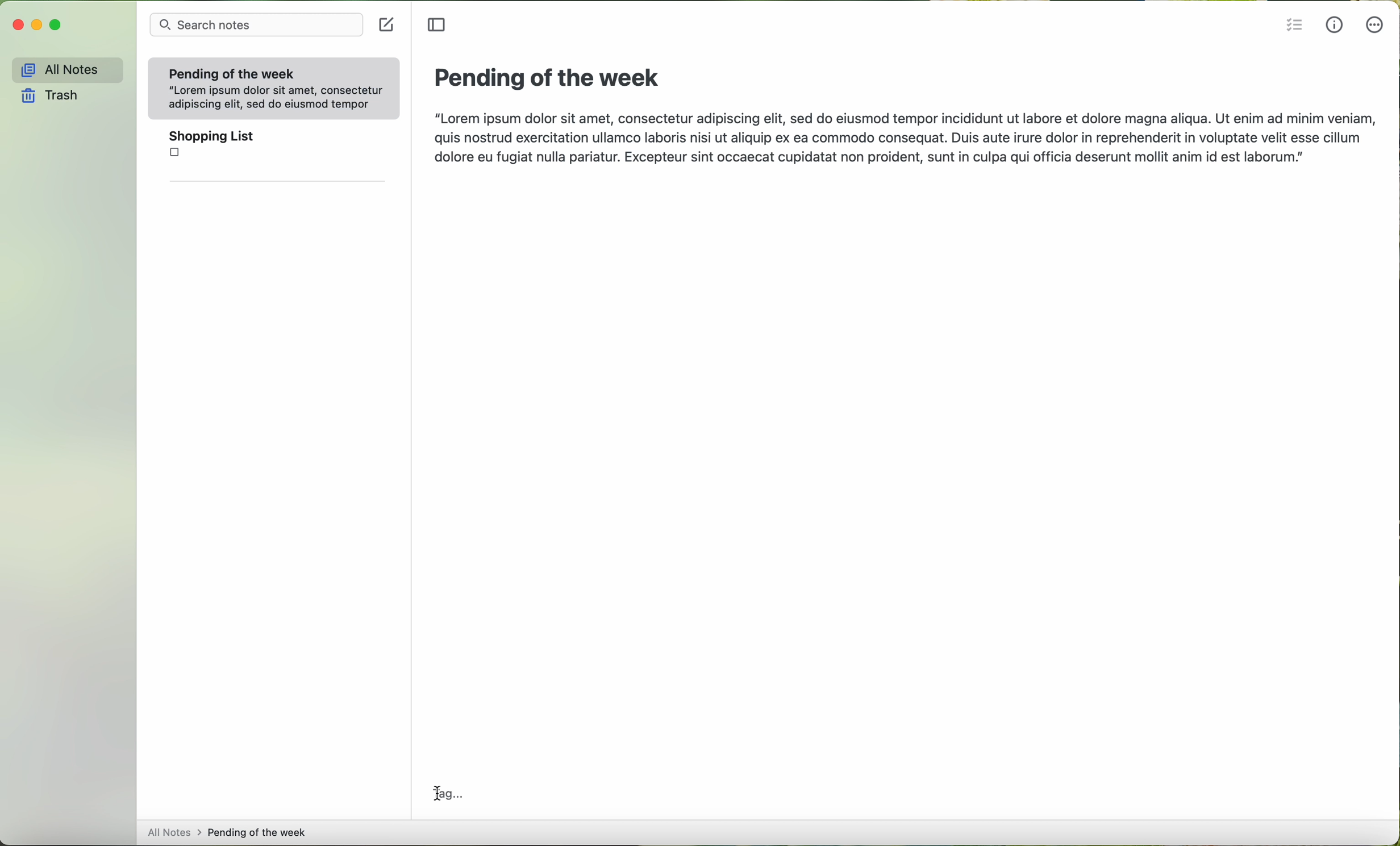 This screenshot has width=1400, height=846. I want to click on tag, so click(449, 795).